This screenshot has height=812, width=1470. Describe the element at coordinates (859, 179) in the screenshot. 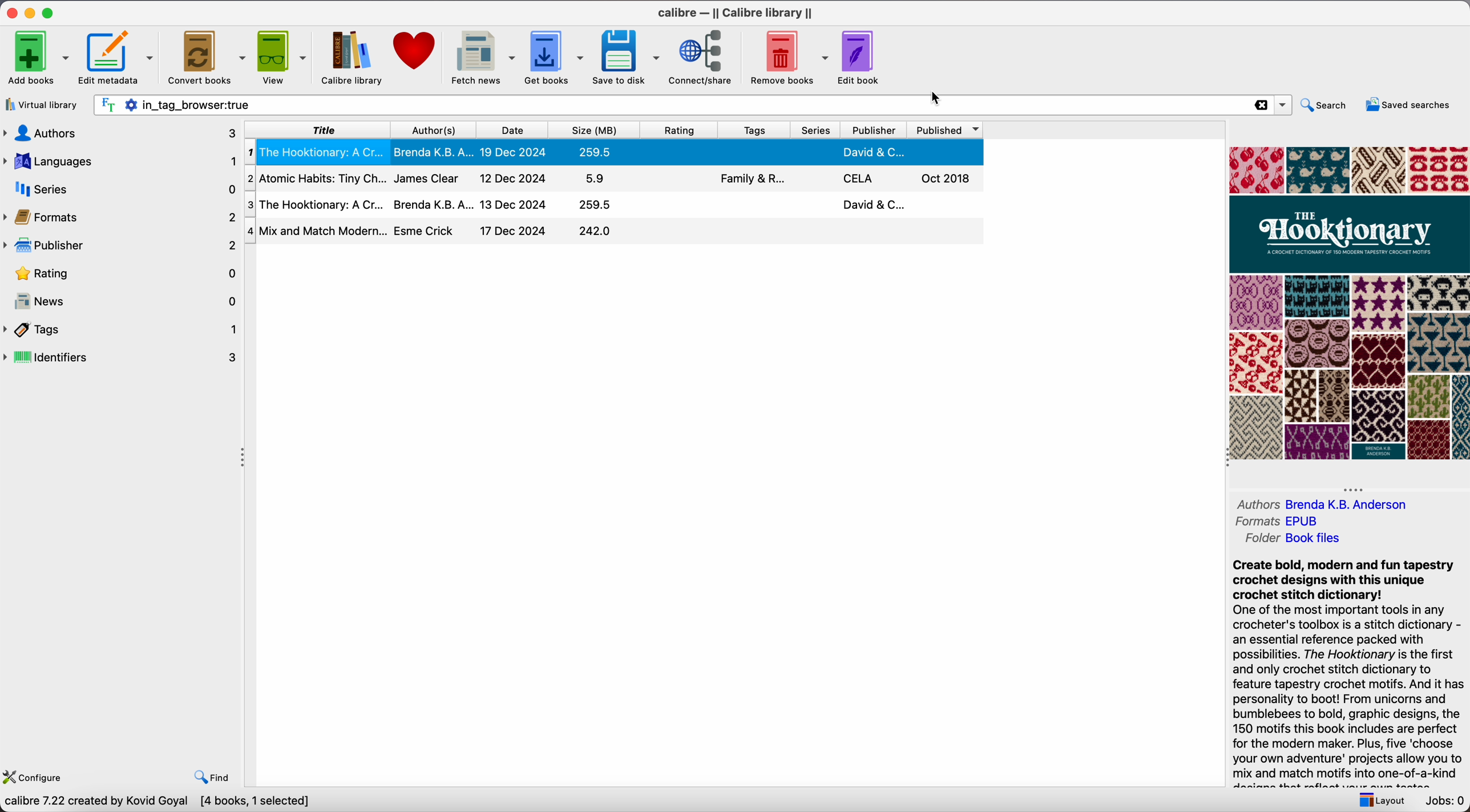

I see `CELA` at that location.